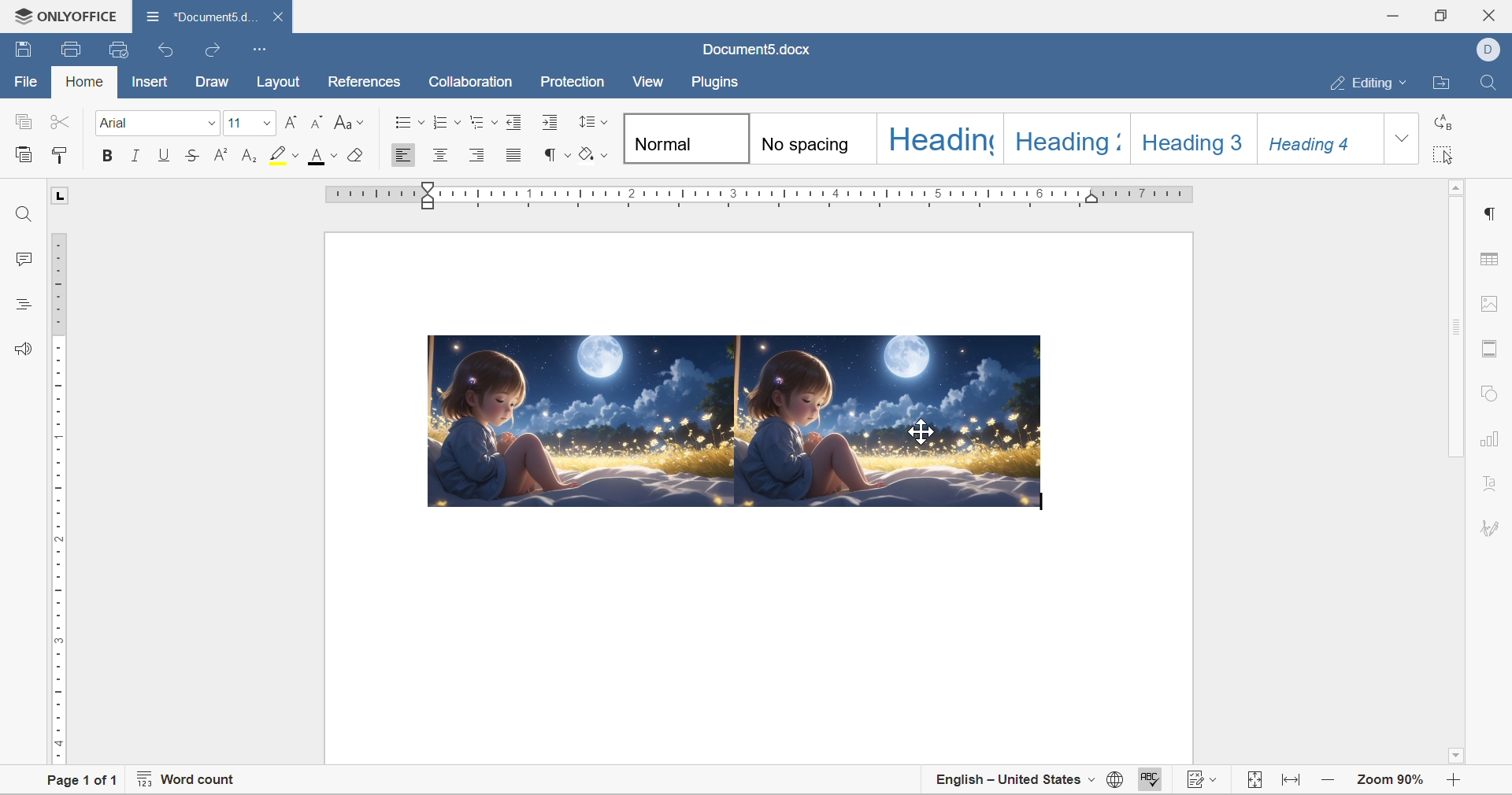 The height and width of the screenshot is (795, 1512). Describe the element at coordinates (1455, 758) in the screenshot. I see `scroll down` at that location.